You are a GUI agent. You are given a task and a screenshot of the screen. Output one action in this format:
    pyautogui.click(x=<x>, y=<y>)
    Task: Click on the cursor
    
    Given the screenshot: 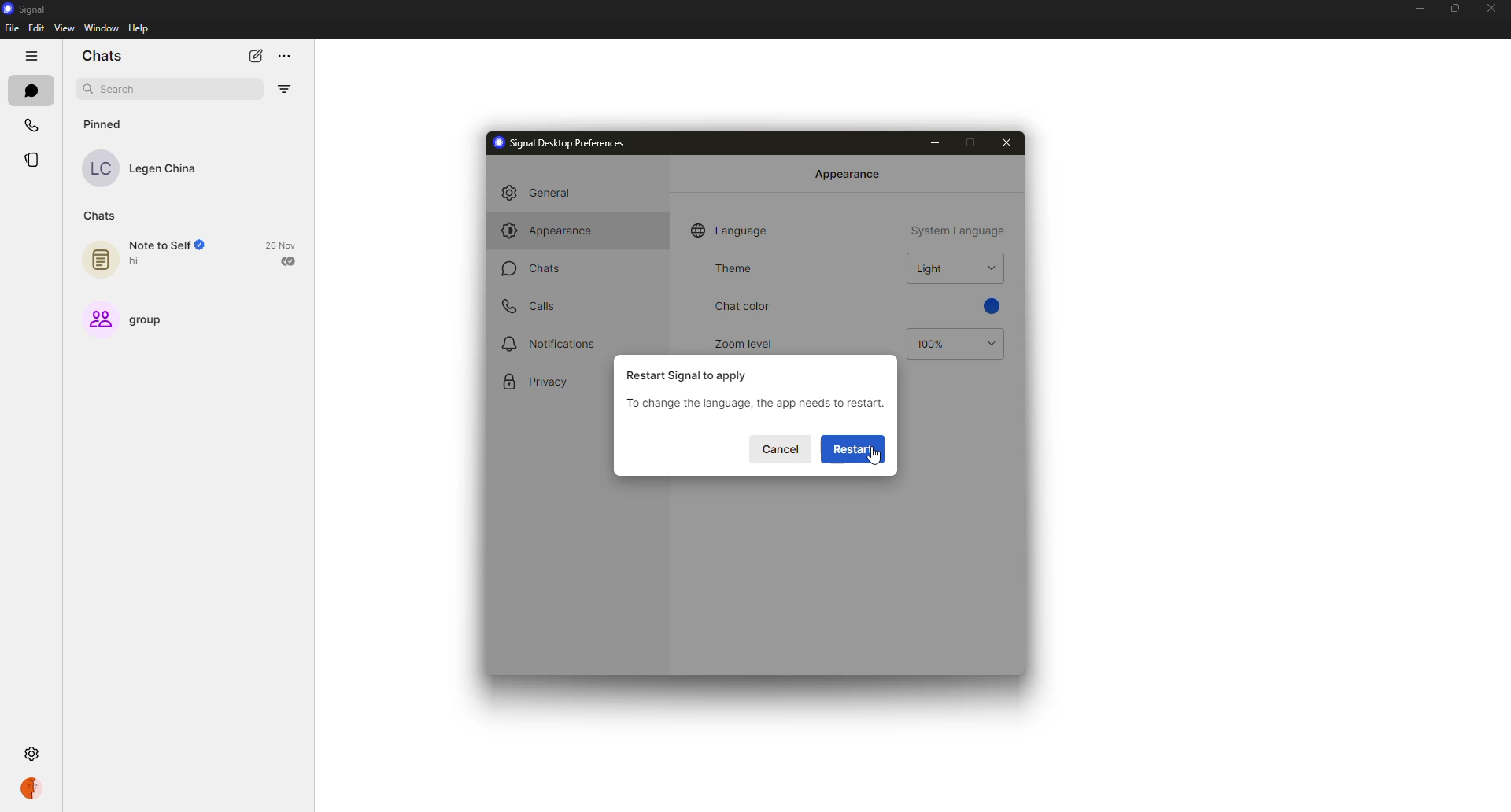 What is the action you would take?
    pyautogui.click(x=874, y=456)
    